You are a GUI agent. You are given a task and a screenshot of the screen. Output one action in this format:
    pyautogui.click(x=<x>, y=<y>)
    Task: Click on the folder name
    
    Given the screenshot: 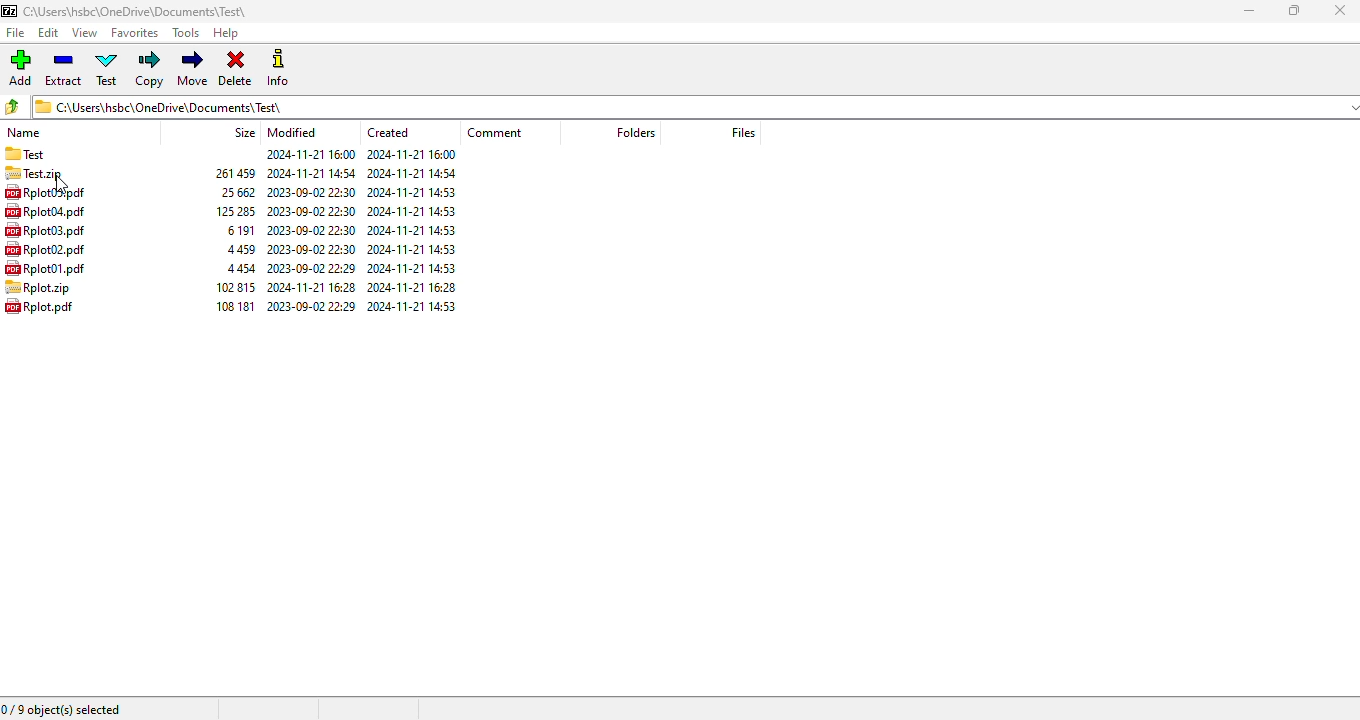 What is the action you would take?
    pyautogui.click(x=25, y=154)
    